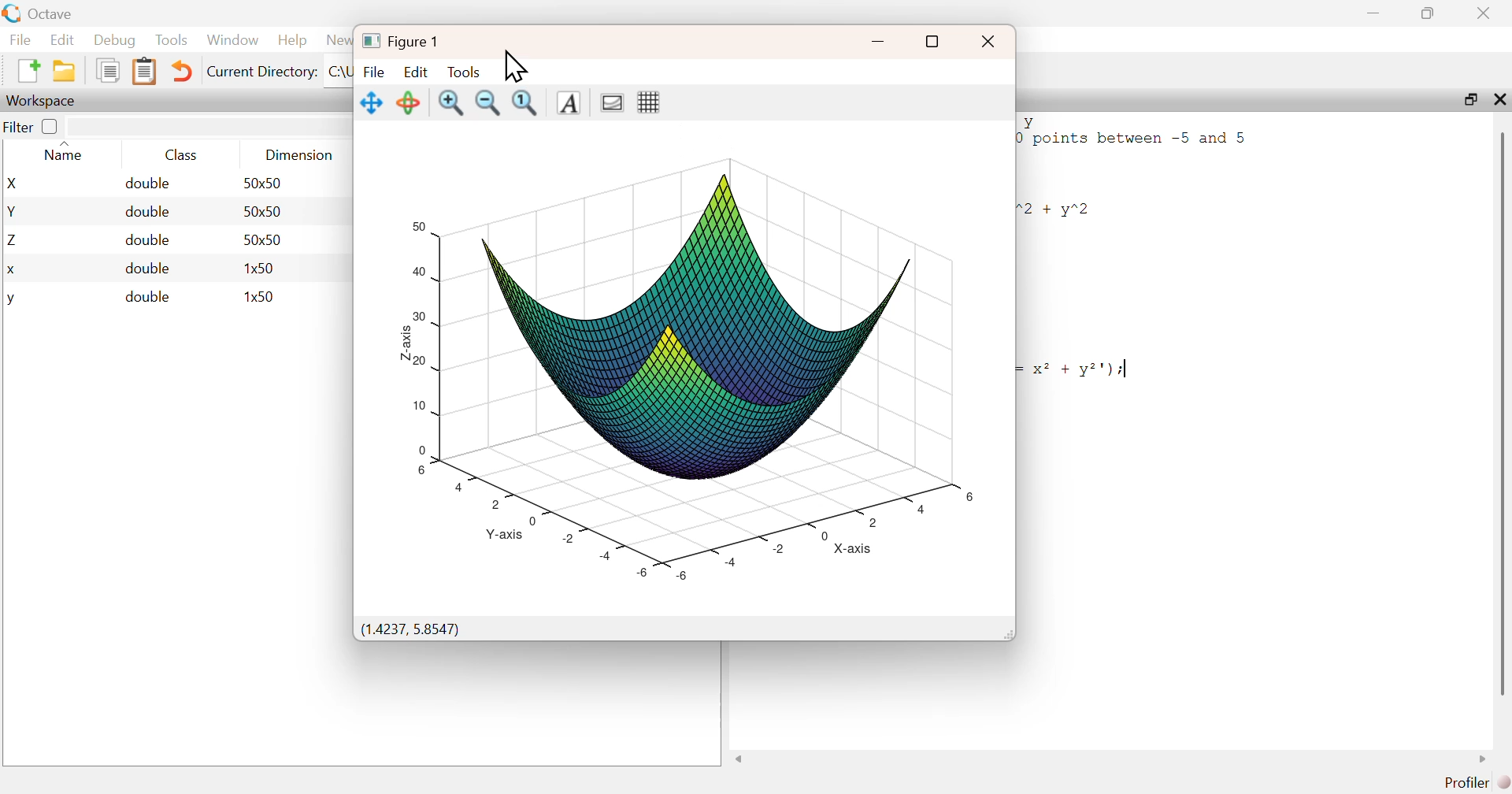 This screenshot has width=1512, height=794. I want to click on Y, so click(13, 211).